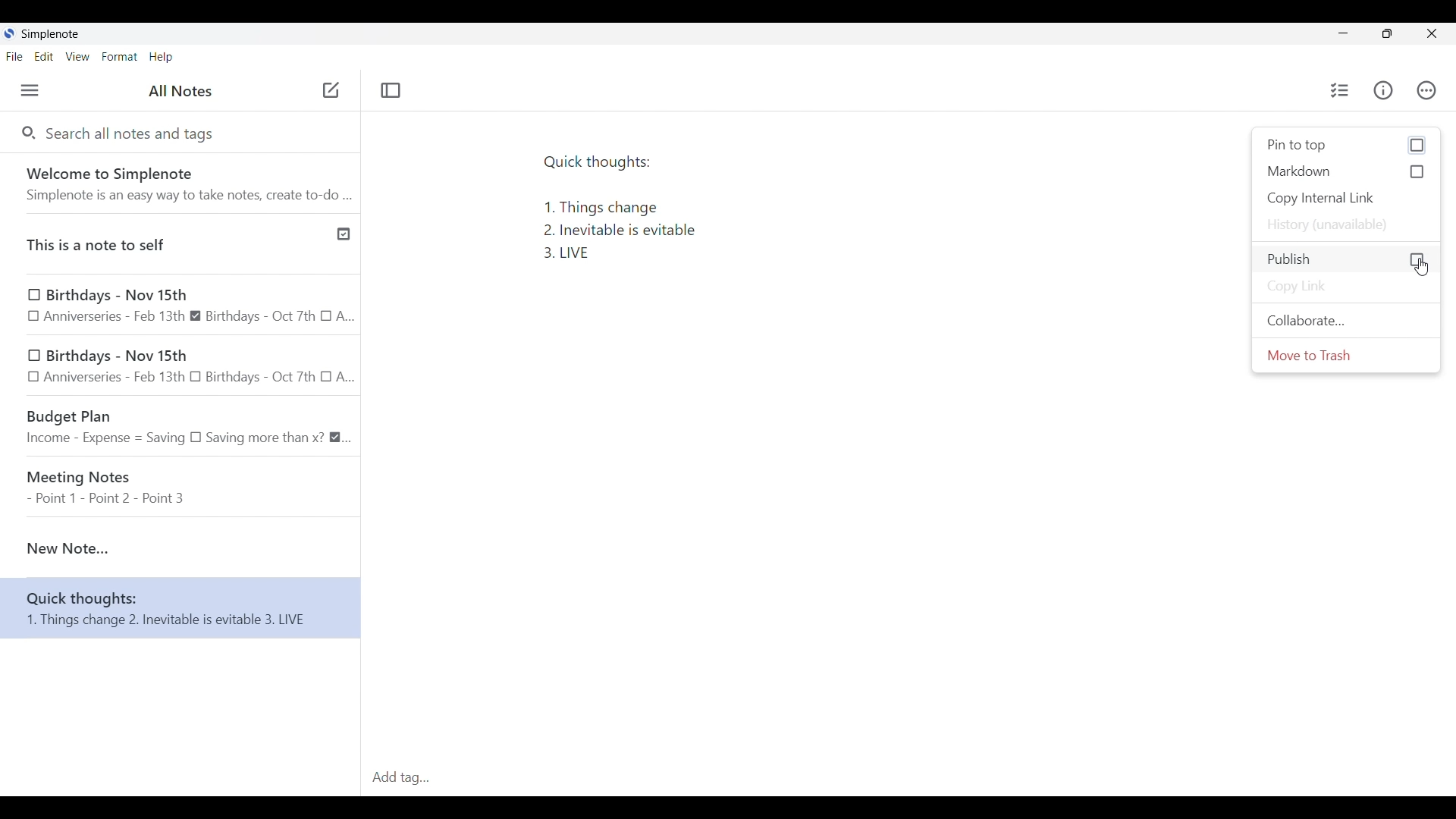 The height and width of the screenshot is (819, 1456). What do you see at coordinates (182, 482) in the screenshot?
I see `Meeting Notes` at bounding box center [182, 482].